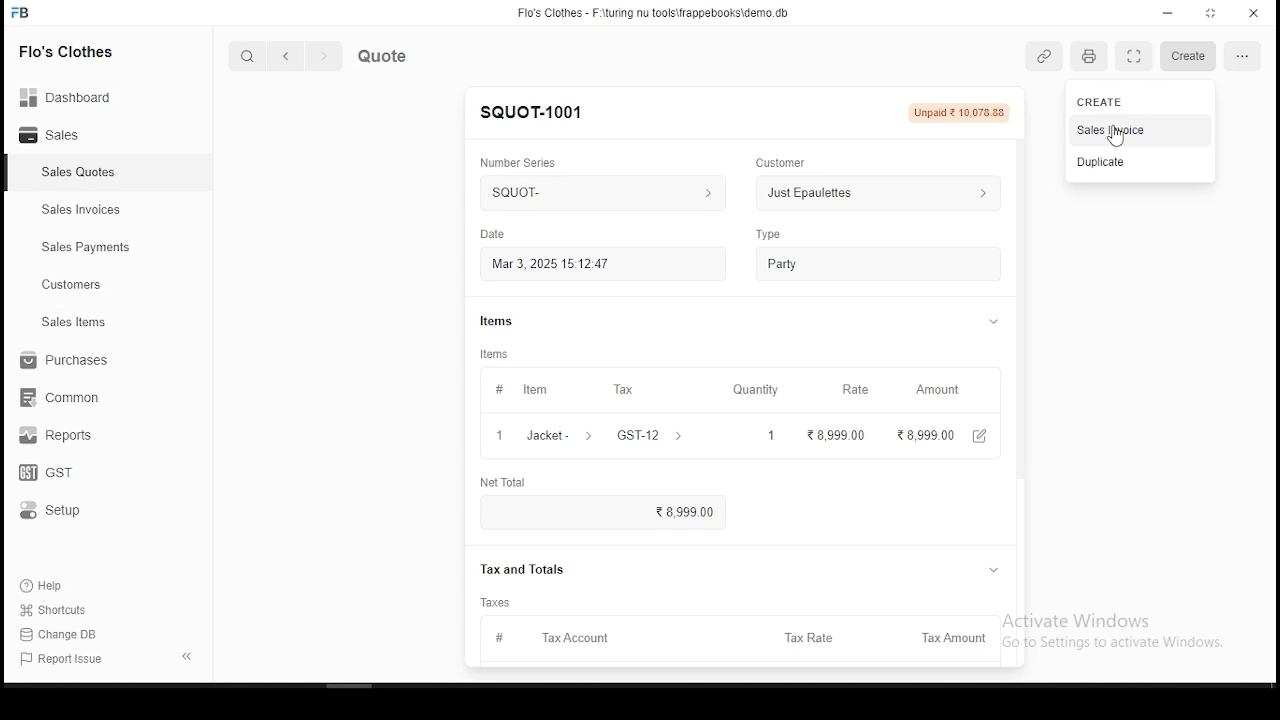 The height and width of the screenshot is (720, 1280). I want to click on squoTt- >, so click(599, 193).